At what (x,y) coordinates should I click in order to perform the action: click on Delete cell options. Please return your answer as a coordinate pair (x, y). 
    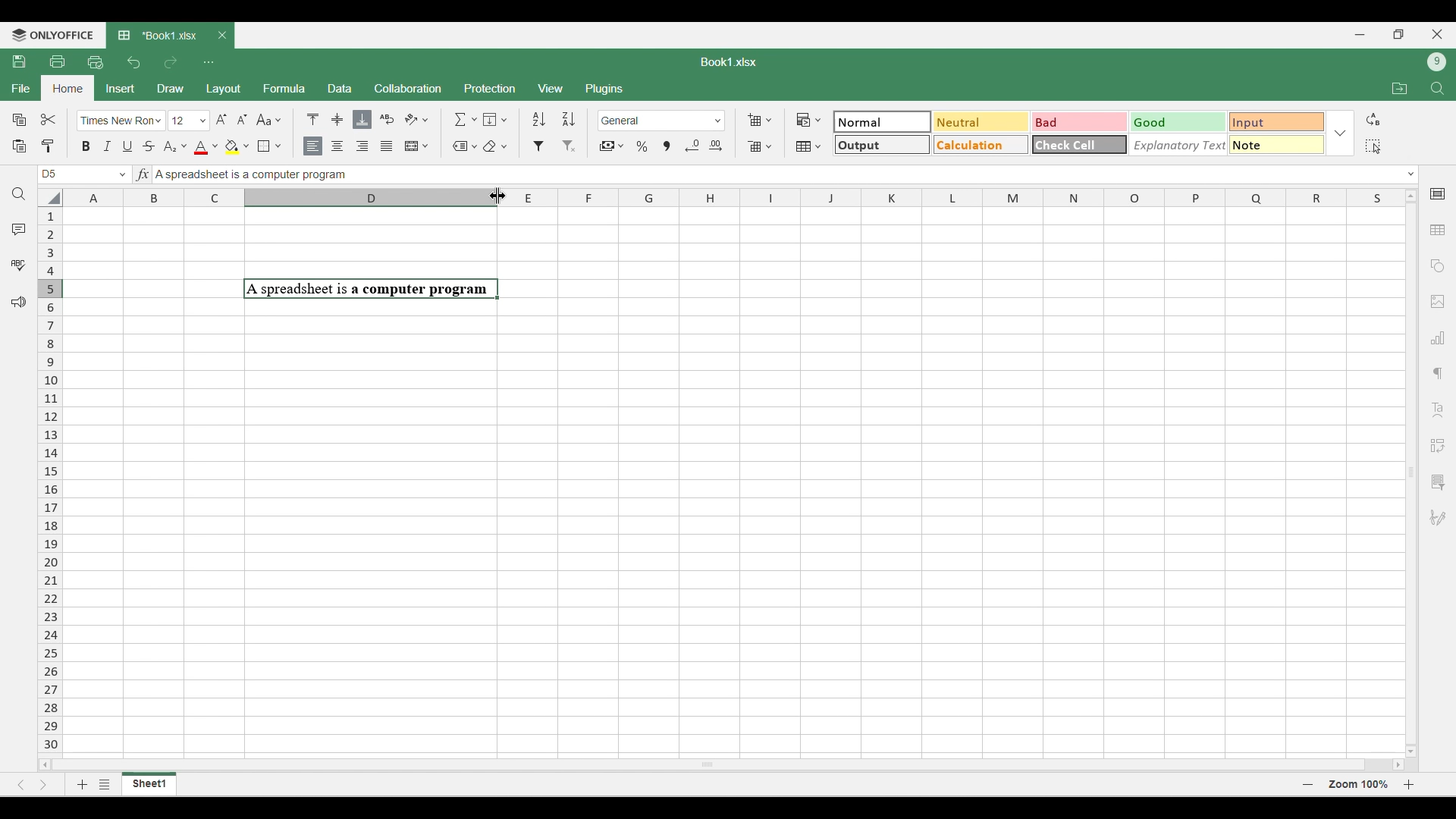
    Looking at the image, I should click on (759, 146).